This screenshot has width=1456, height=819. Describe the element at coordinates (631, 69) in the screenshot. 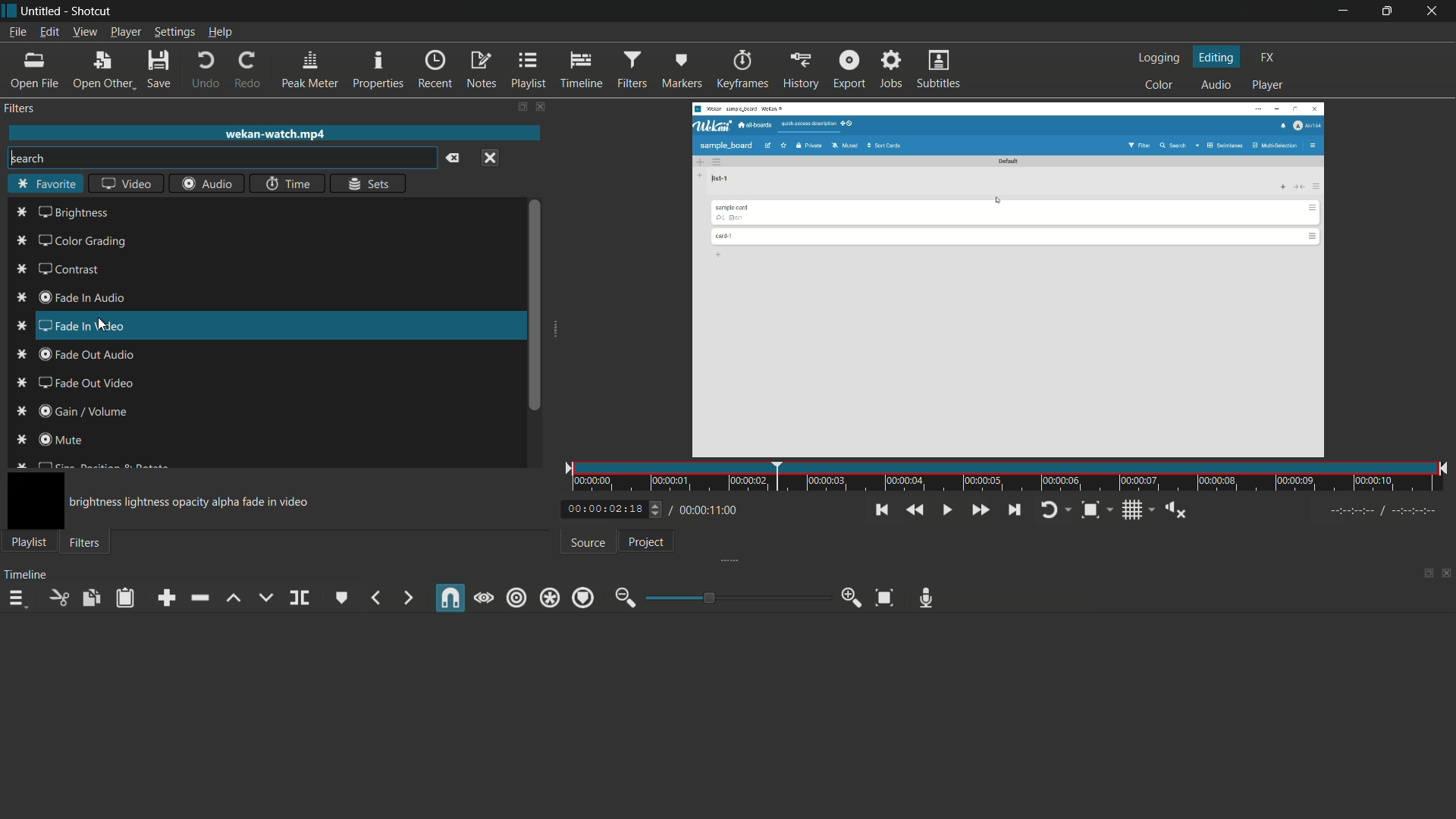

I see `filters` at that location.